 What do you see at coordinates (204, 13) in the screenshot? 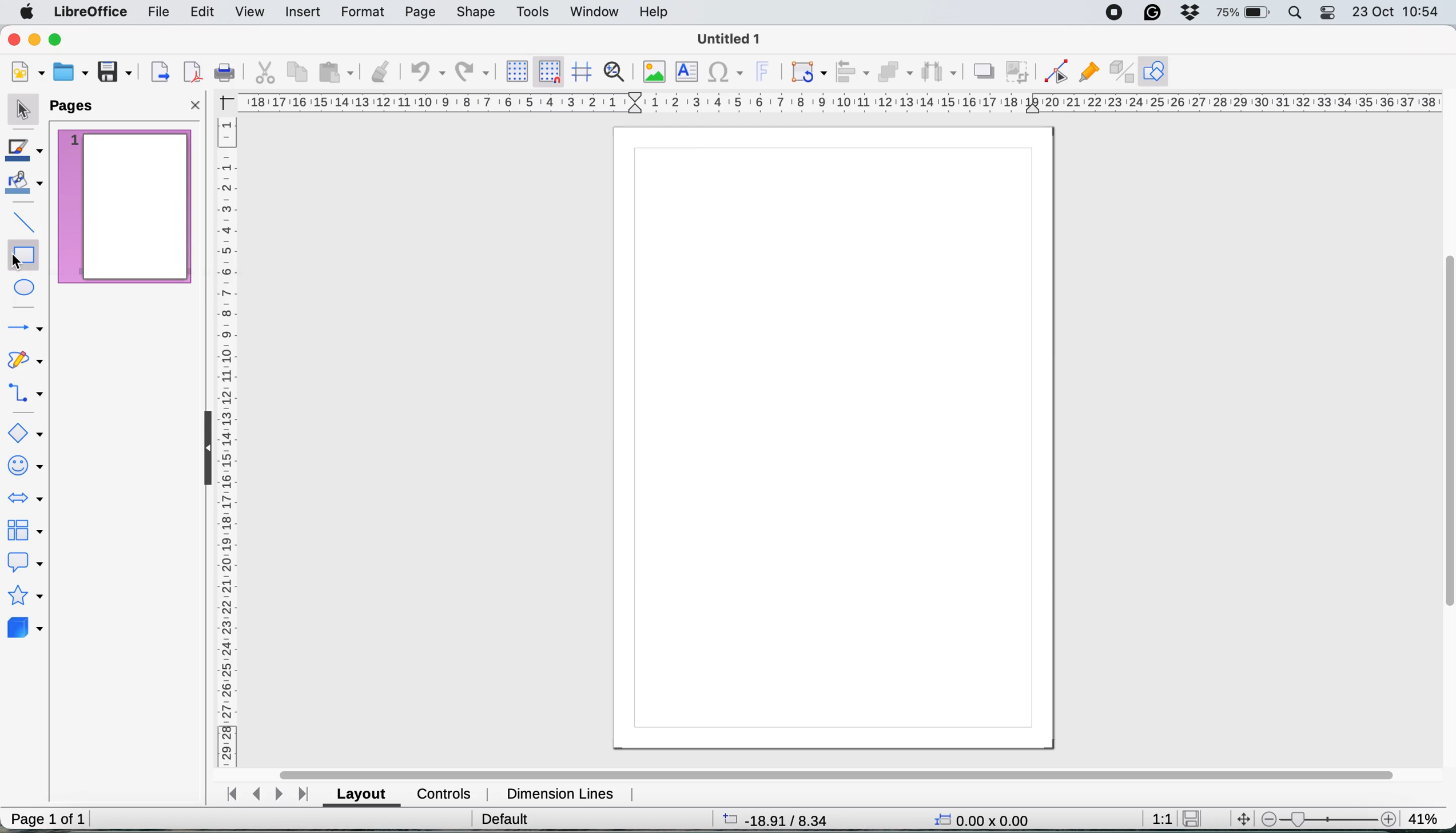
I see `edit` at bounding box center [204, 13].